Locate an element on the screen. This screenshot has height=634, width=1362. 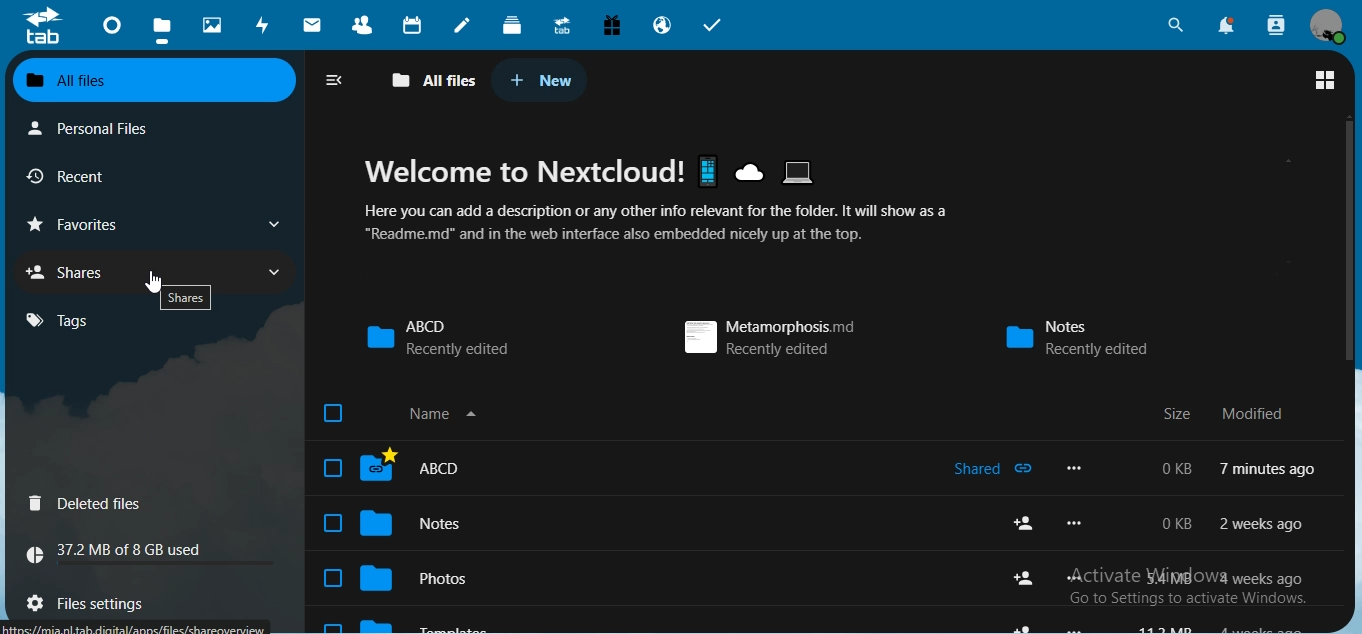
metamorphosis is located at coordinates (767, 338).